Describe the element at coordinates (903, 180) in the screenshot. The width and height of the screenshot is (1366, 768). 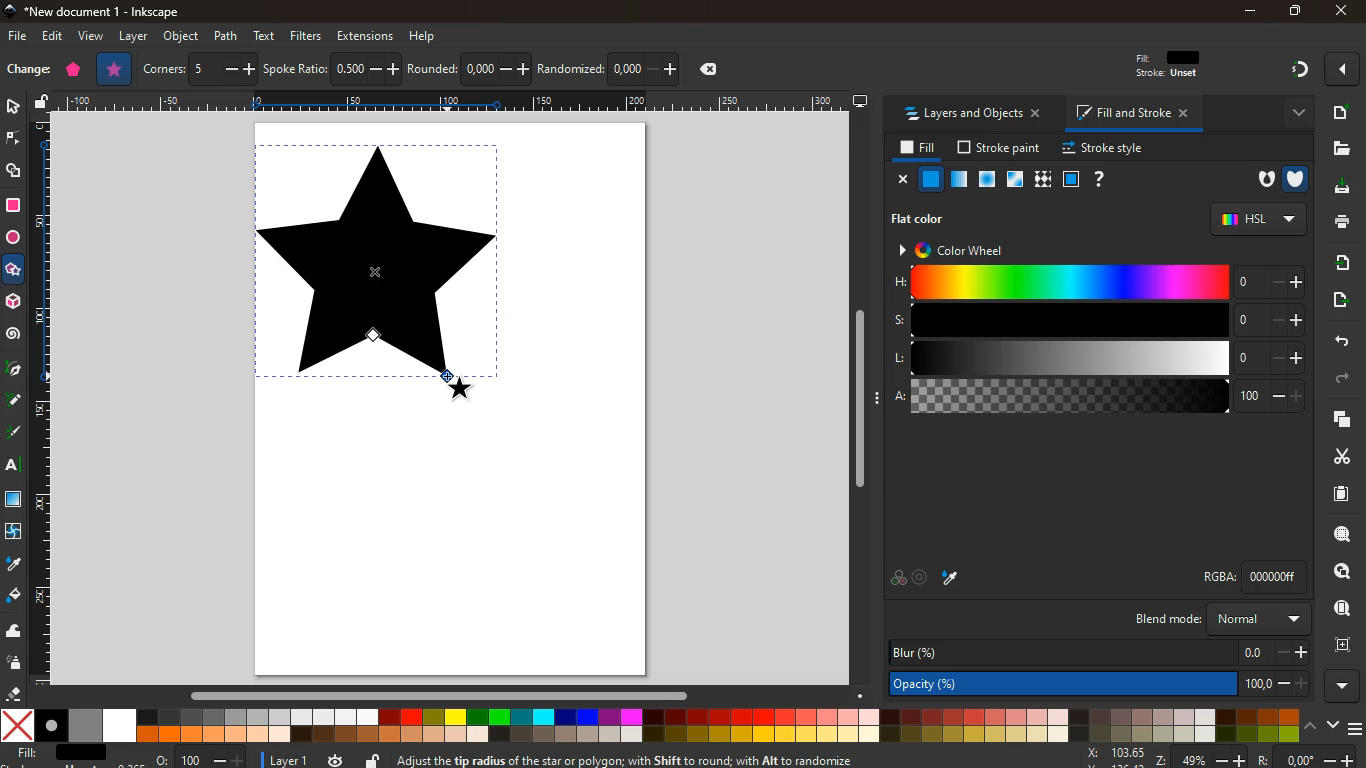
I see `close` at that location.